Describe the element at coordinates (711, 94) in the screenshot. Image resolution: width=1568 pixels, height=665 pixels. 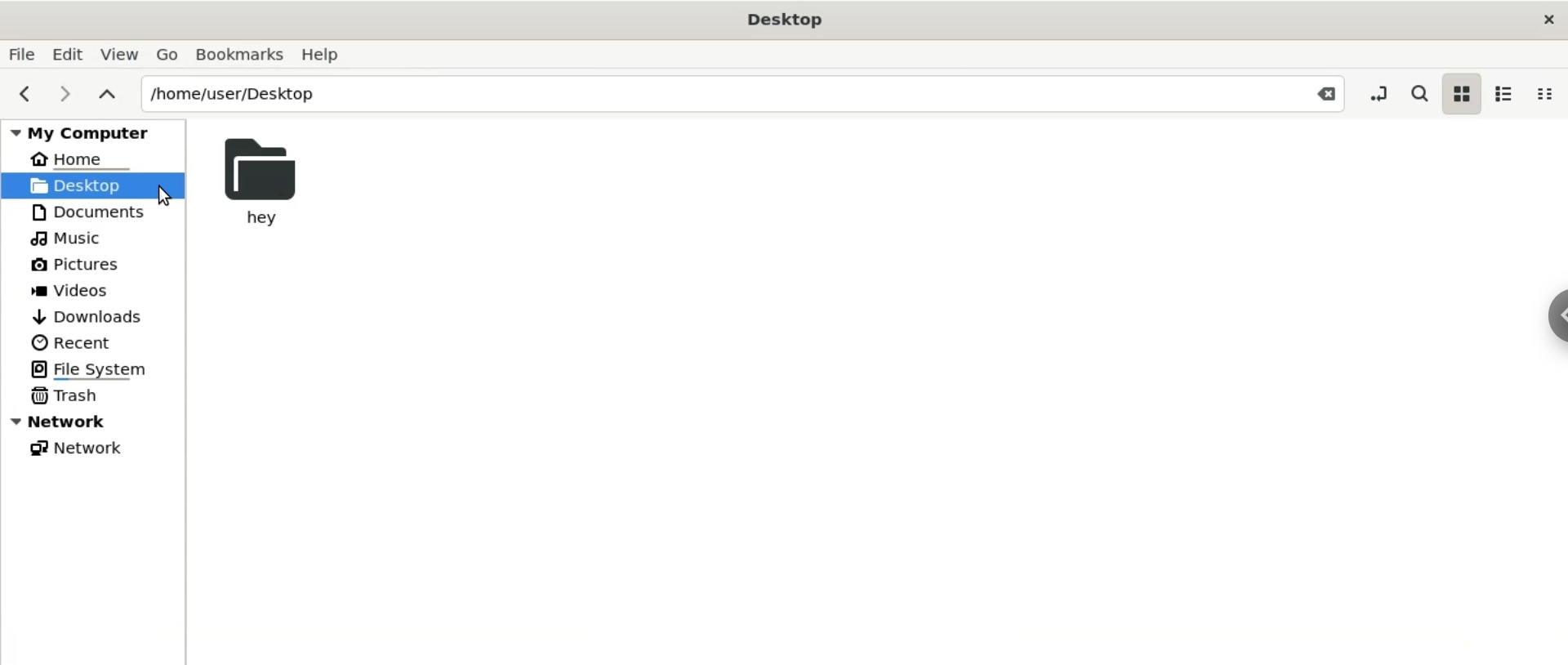
I see `/home/user/Desktop` at that location.